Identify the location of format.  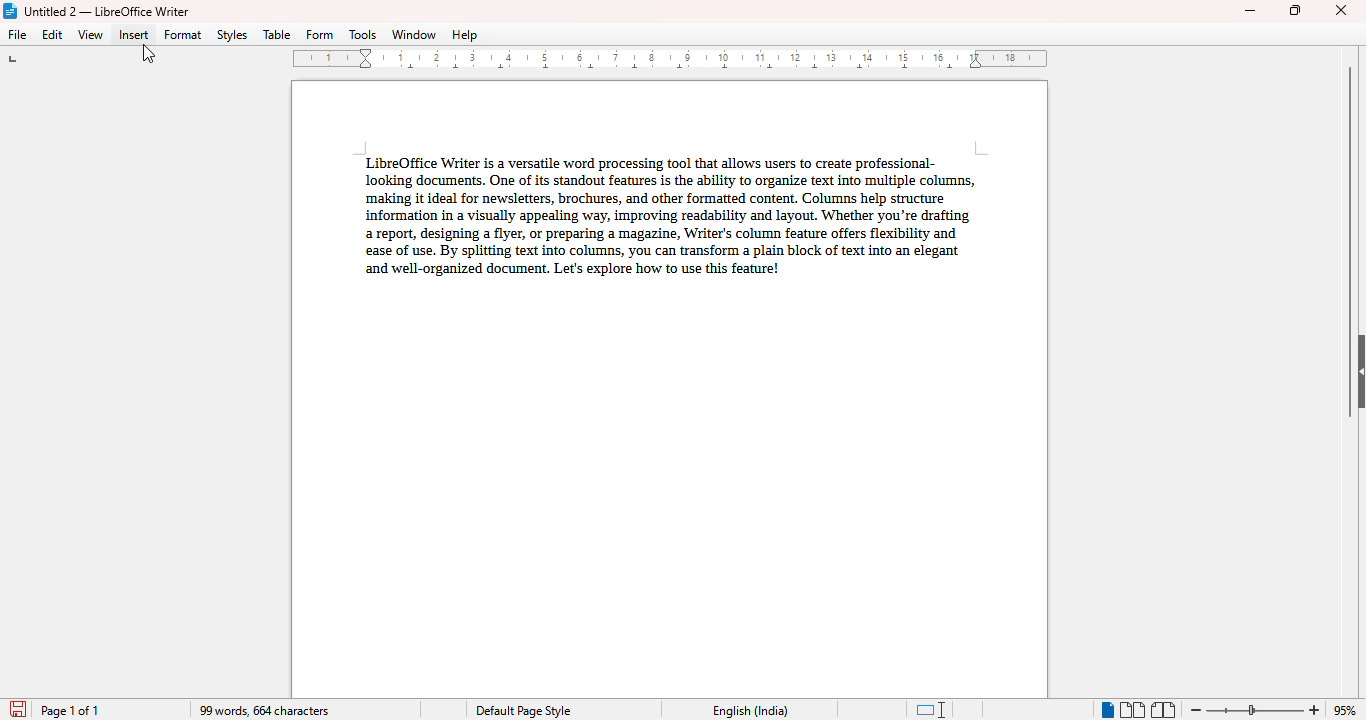
(183, 34).